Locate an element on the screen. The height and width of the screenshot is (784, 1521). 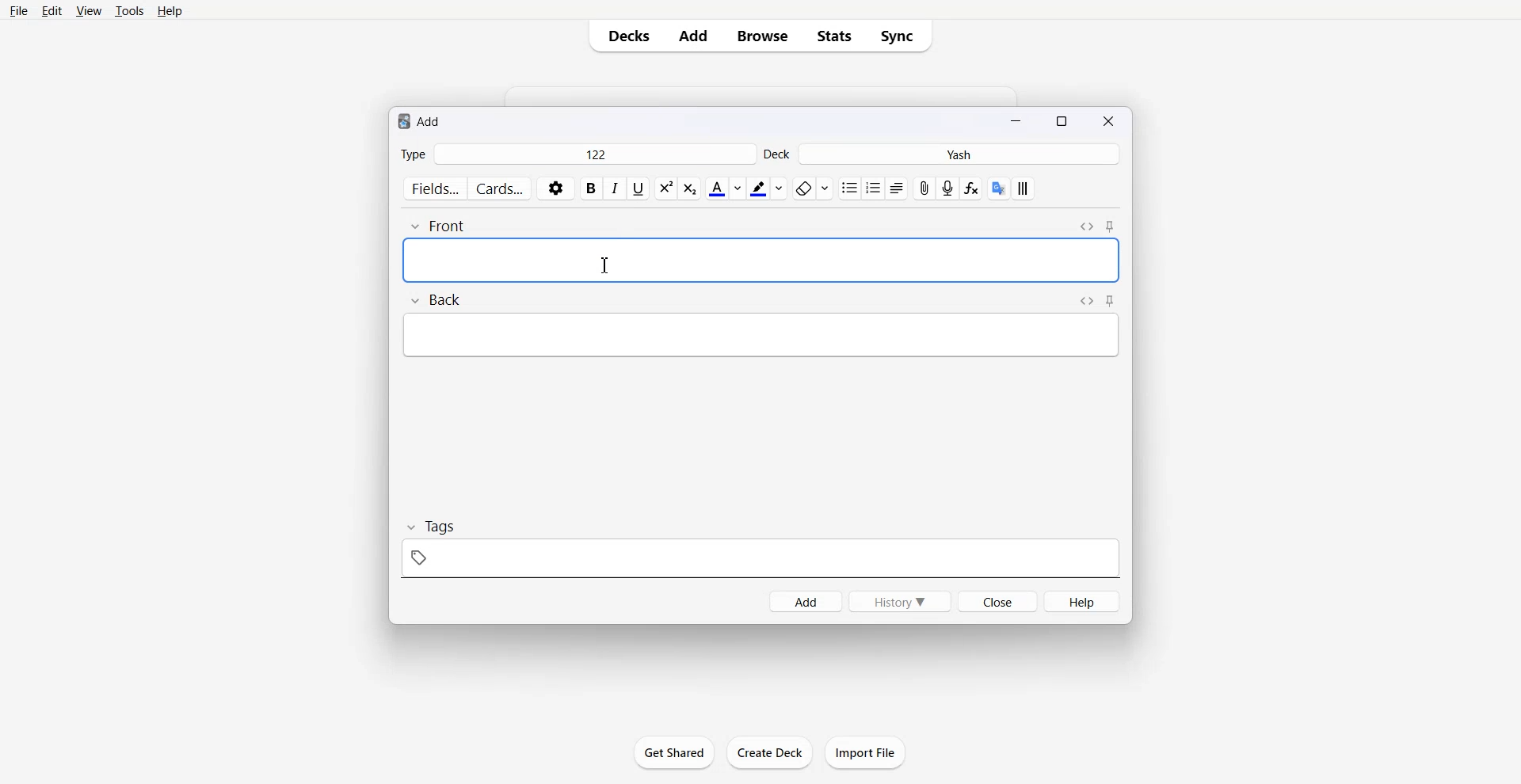
Underline is located at coordinates (639, 188).